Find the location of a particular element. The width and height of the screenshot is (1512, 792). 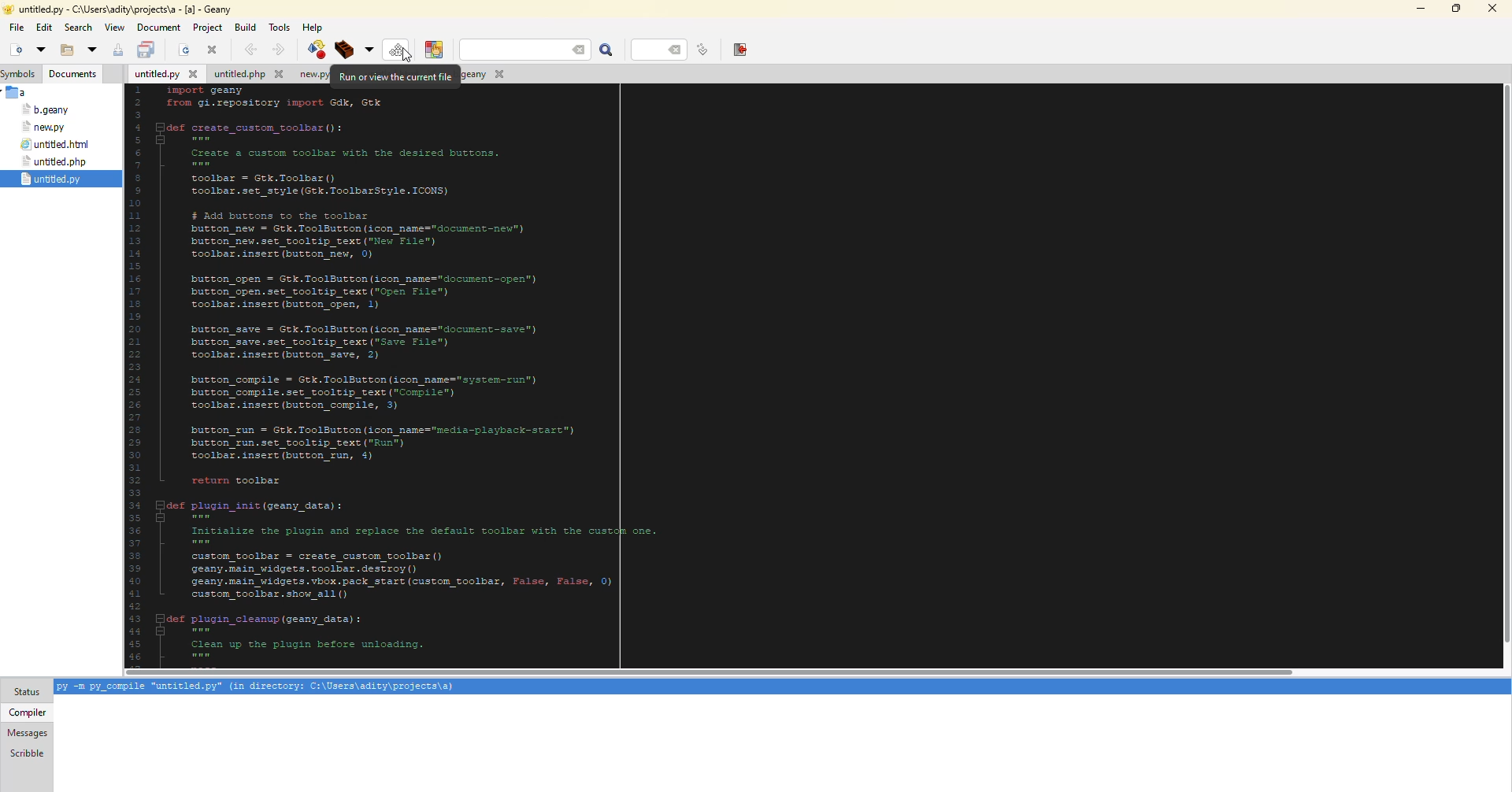

tools is located at coordinates (280, 28).